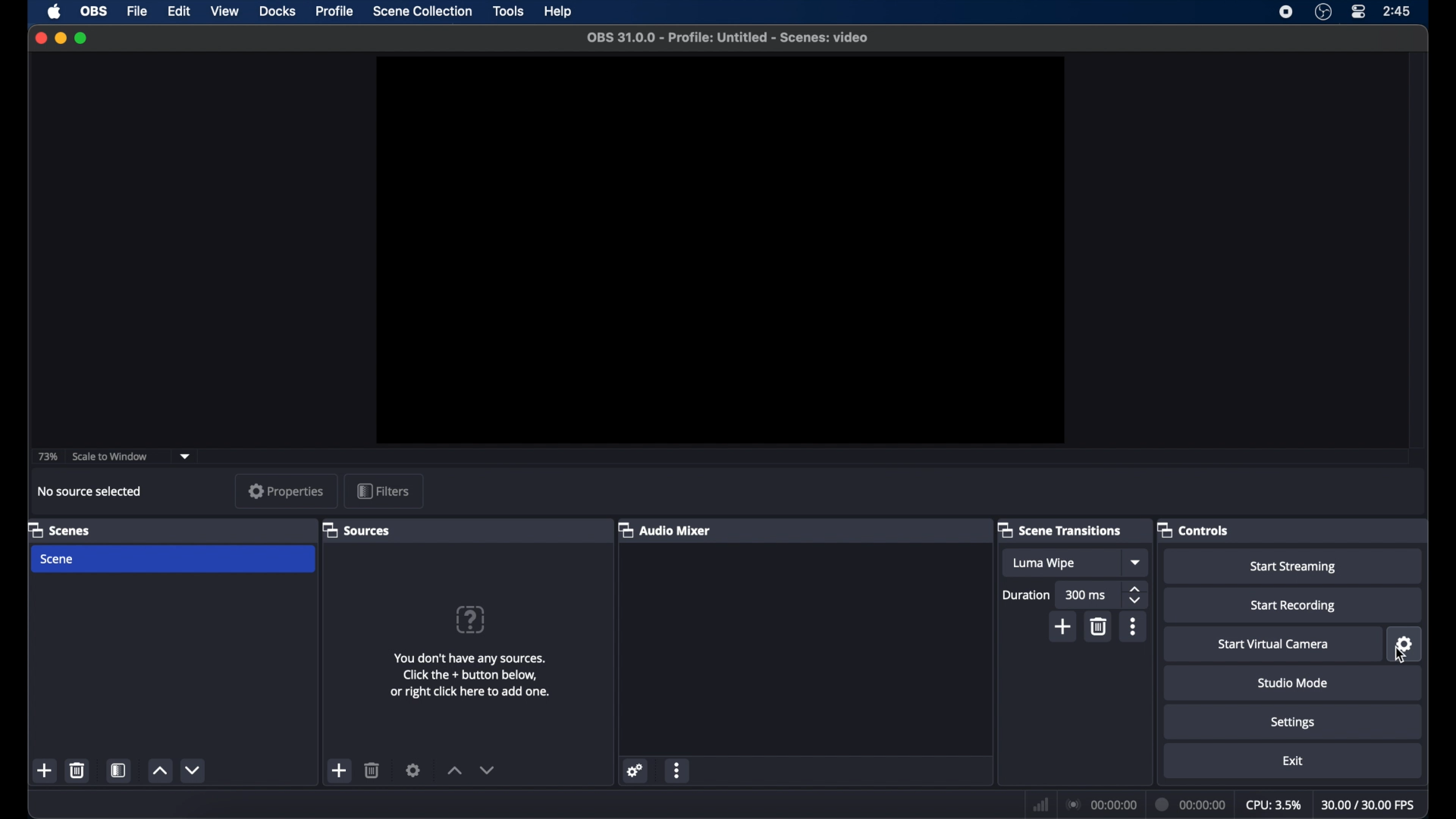  What do you see at coordinates (1137, 562) in the screenshot?
I see `dropdown` at bounding box center [1137, 562].